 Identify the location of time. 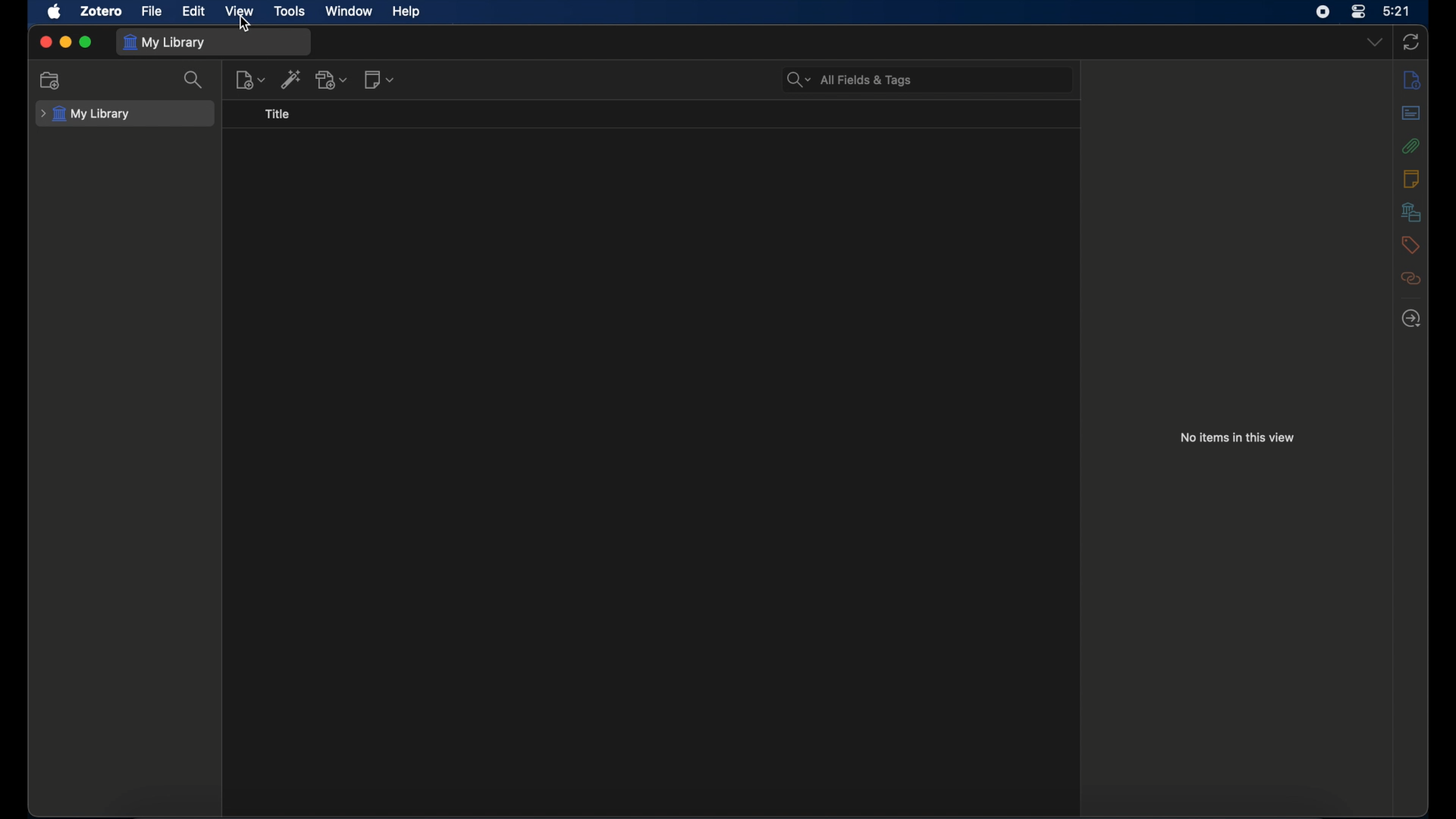
(1397, 11).